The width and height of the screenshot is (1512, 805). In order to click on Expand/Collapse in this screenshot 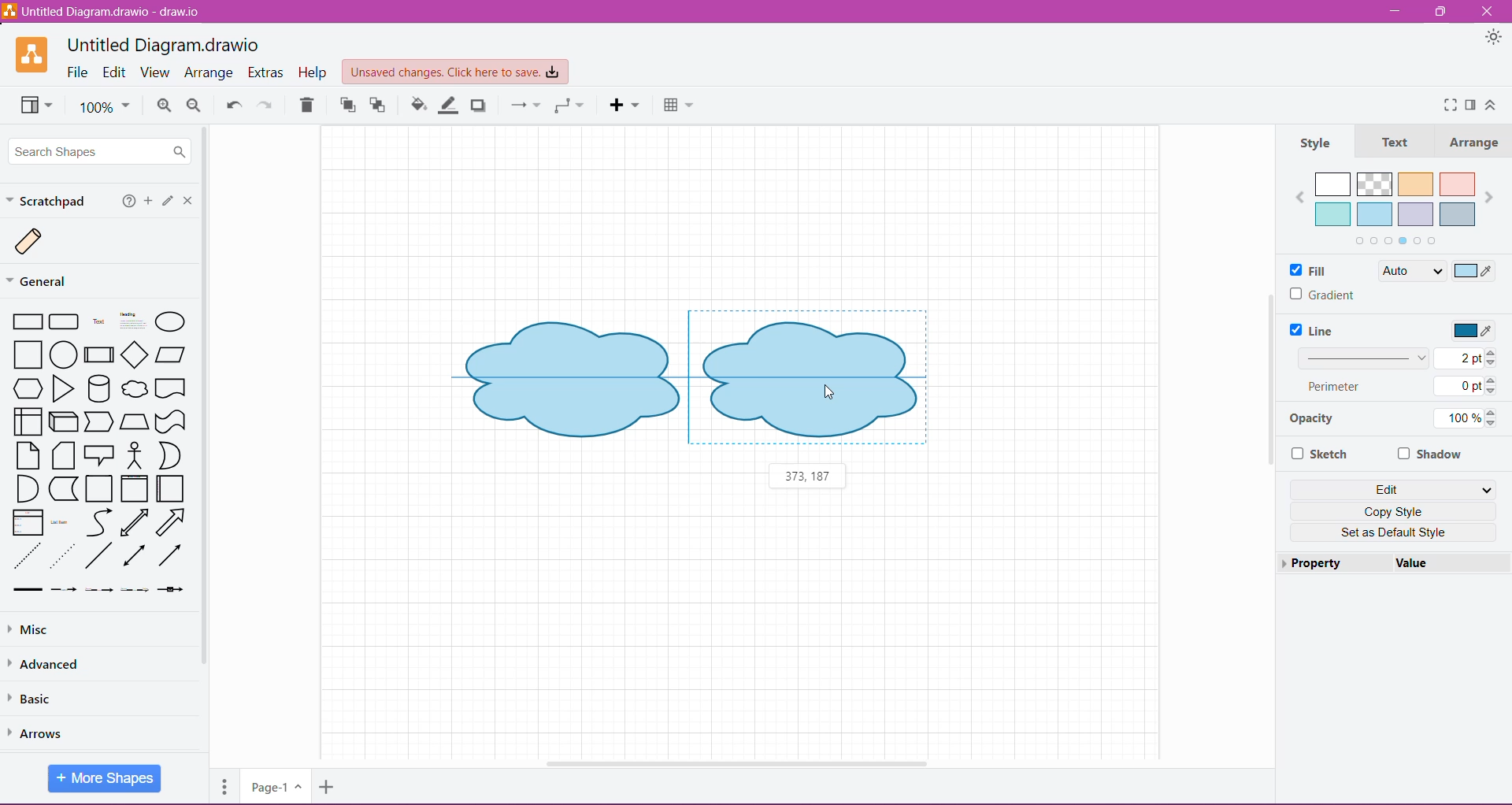, I will do `click(1492, 107)`.